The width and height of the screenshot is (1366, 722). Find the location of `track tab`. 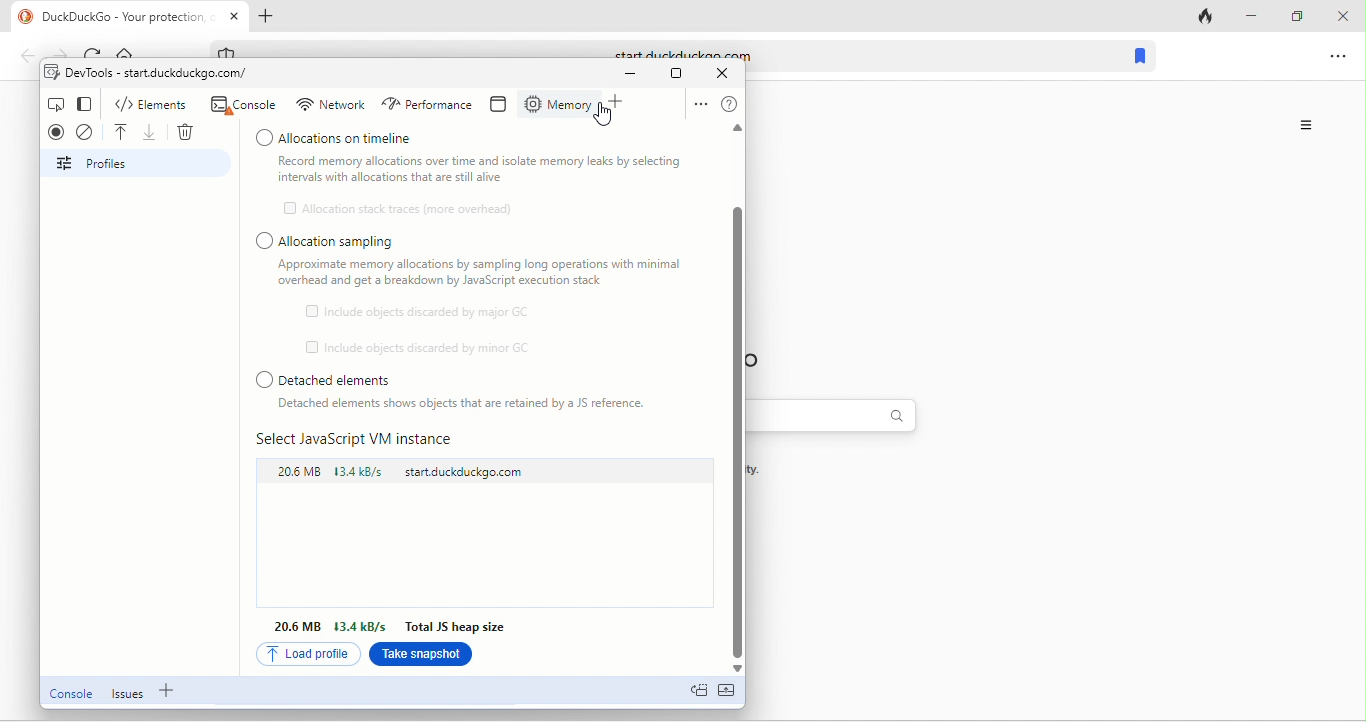

track tab is located at coordinates (1205, 18).